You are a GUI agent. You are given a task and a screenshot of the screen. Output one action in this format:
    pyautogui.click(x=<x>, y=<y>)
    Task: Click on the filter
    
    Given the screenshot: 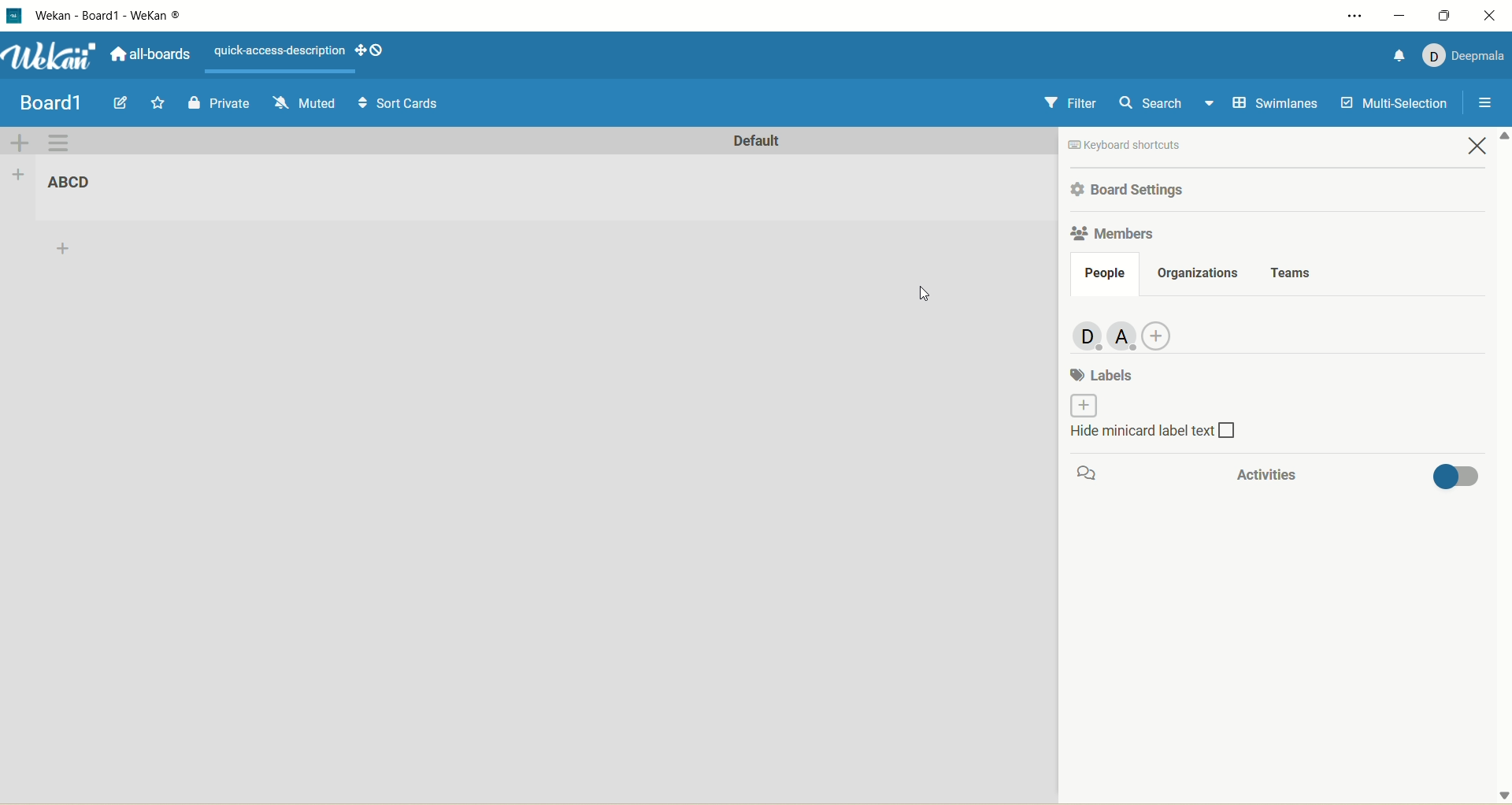 What is the action you would take?
    pyautogui.click(x=1069, y=104)
    